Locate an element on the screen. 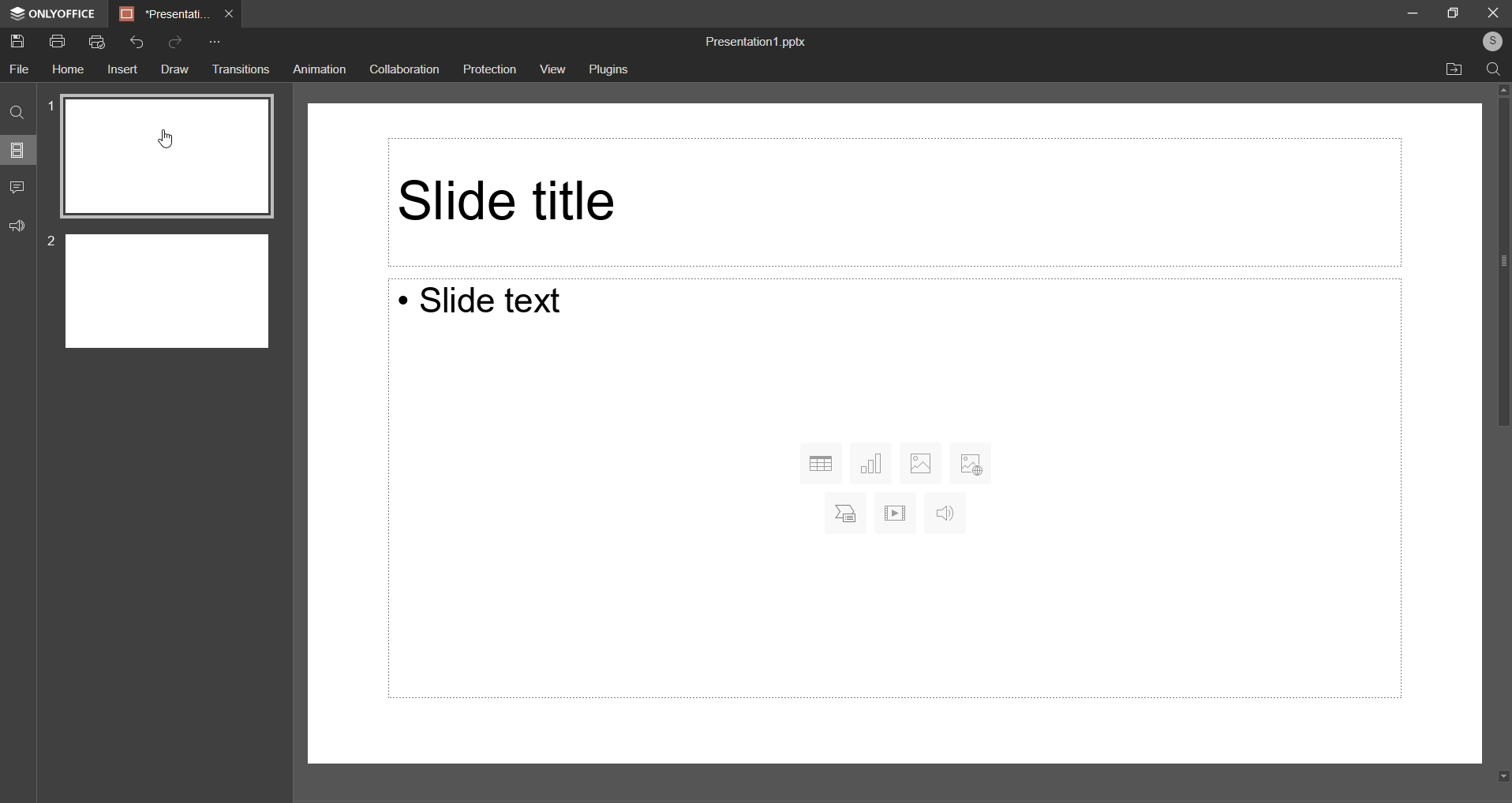 The height and width of the screenshot is (803, 1512). Customize Quick Path is located at coordinates (212, 44).